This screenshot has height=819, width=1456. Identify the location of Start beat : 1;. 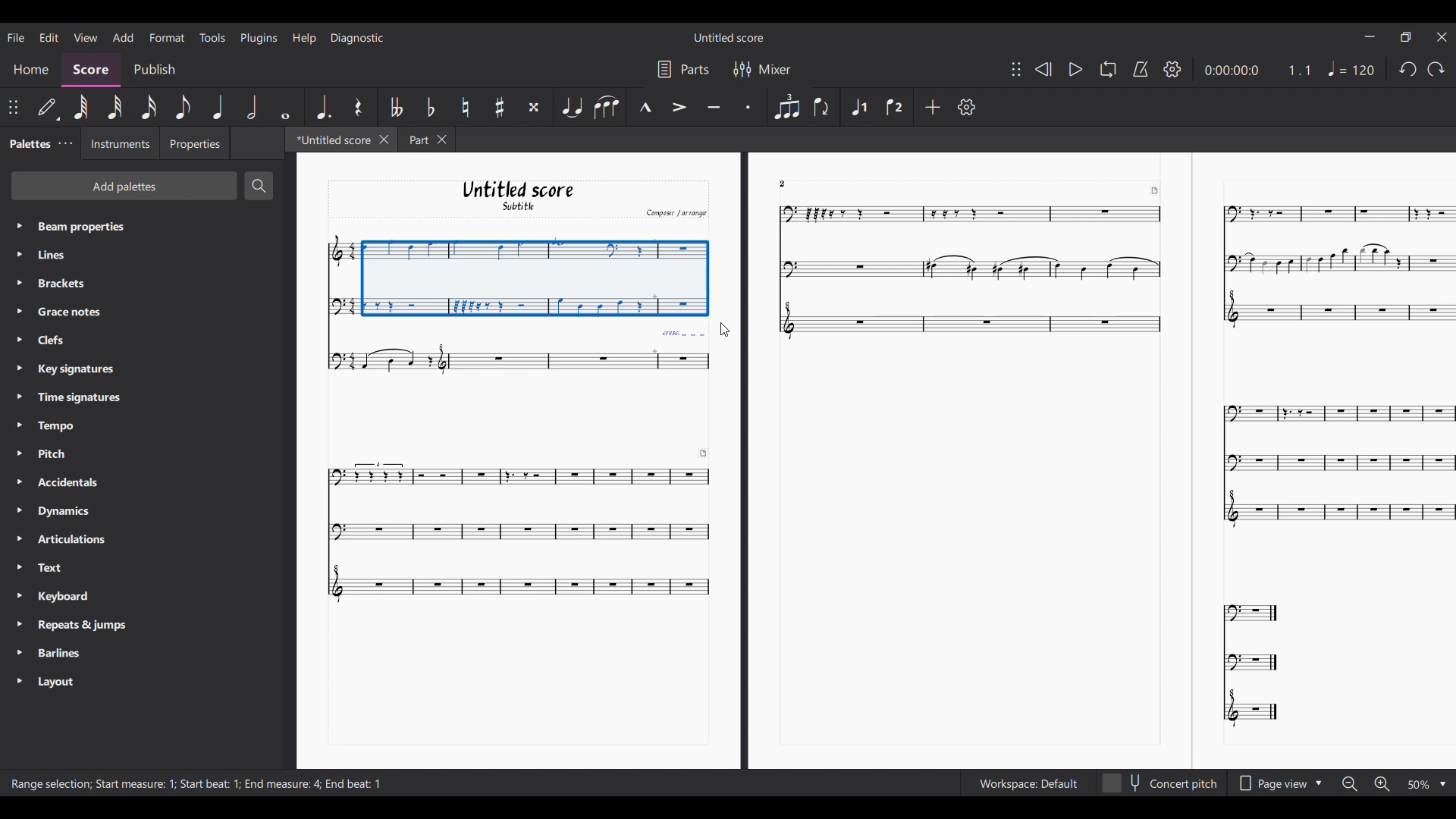
(211, 784).